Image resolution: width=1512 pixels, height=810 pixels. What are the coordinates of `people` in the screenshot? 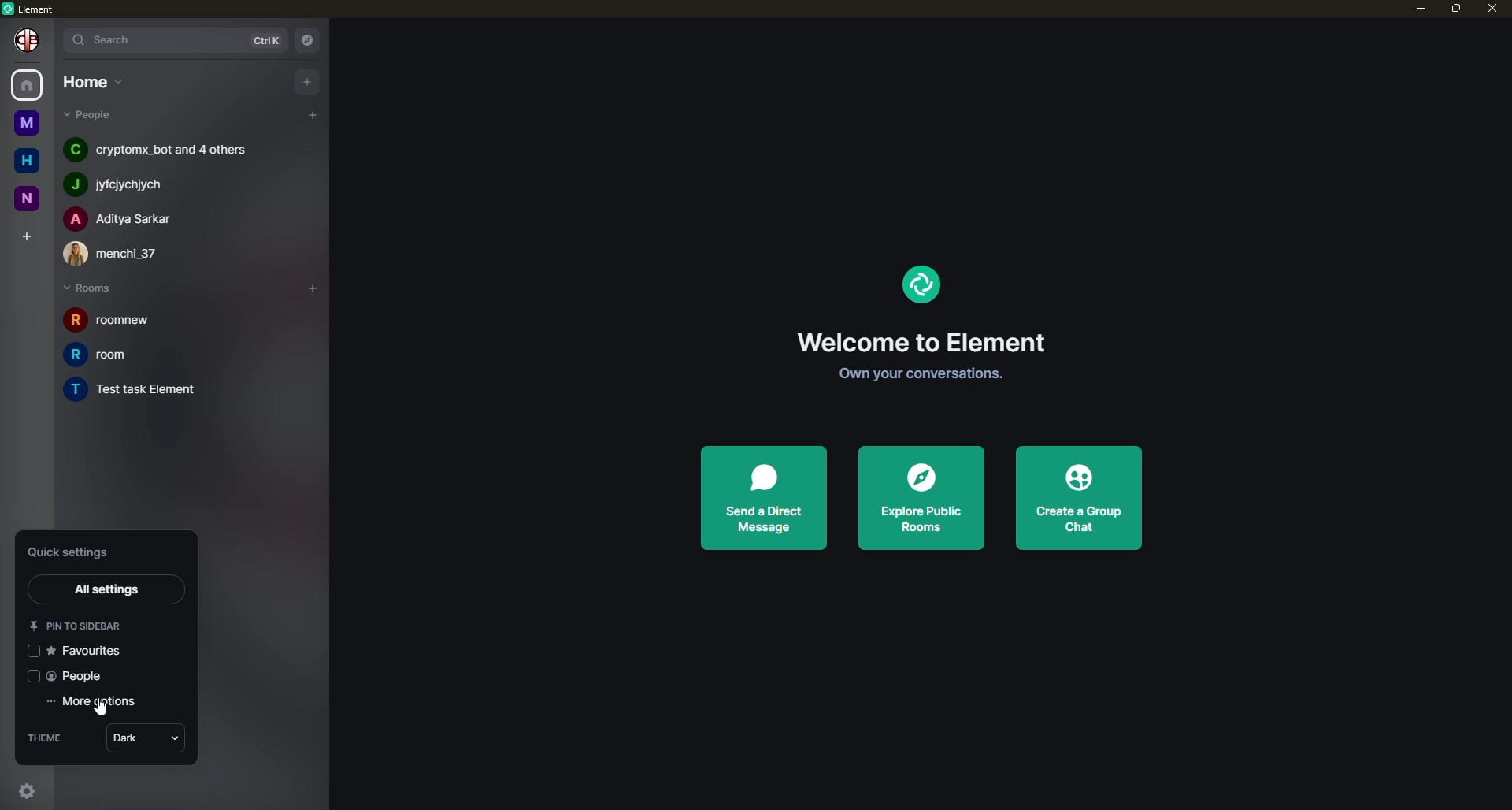 It's located at (157, 149).